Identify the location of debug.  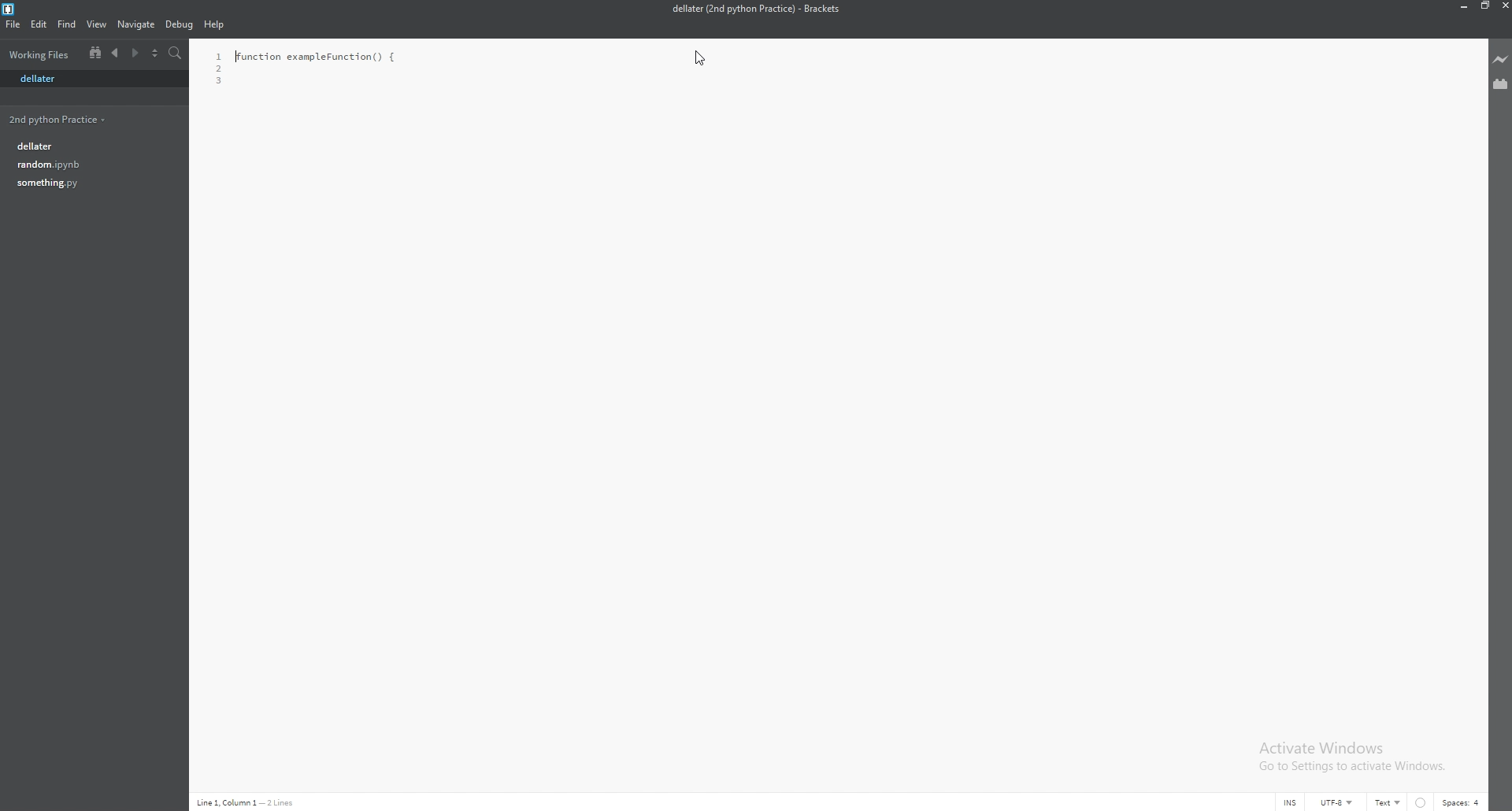
(180, 25).